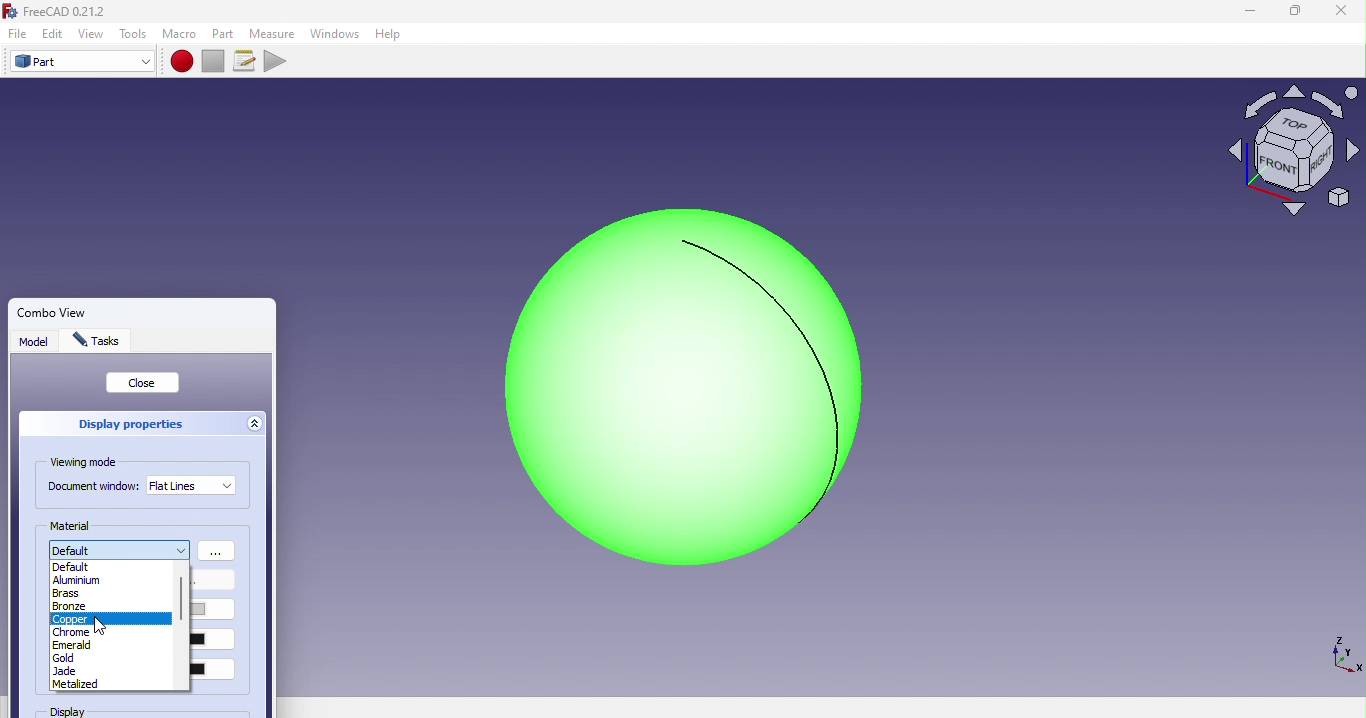 The height and width of the screenshot is (718, 1366). What do you see at coordinates (88, 463) in the screenshot?
I see `Viewing mode` at bounding box center [88, 463].